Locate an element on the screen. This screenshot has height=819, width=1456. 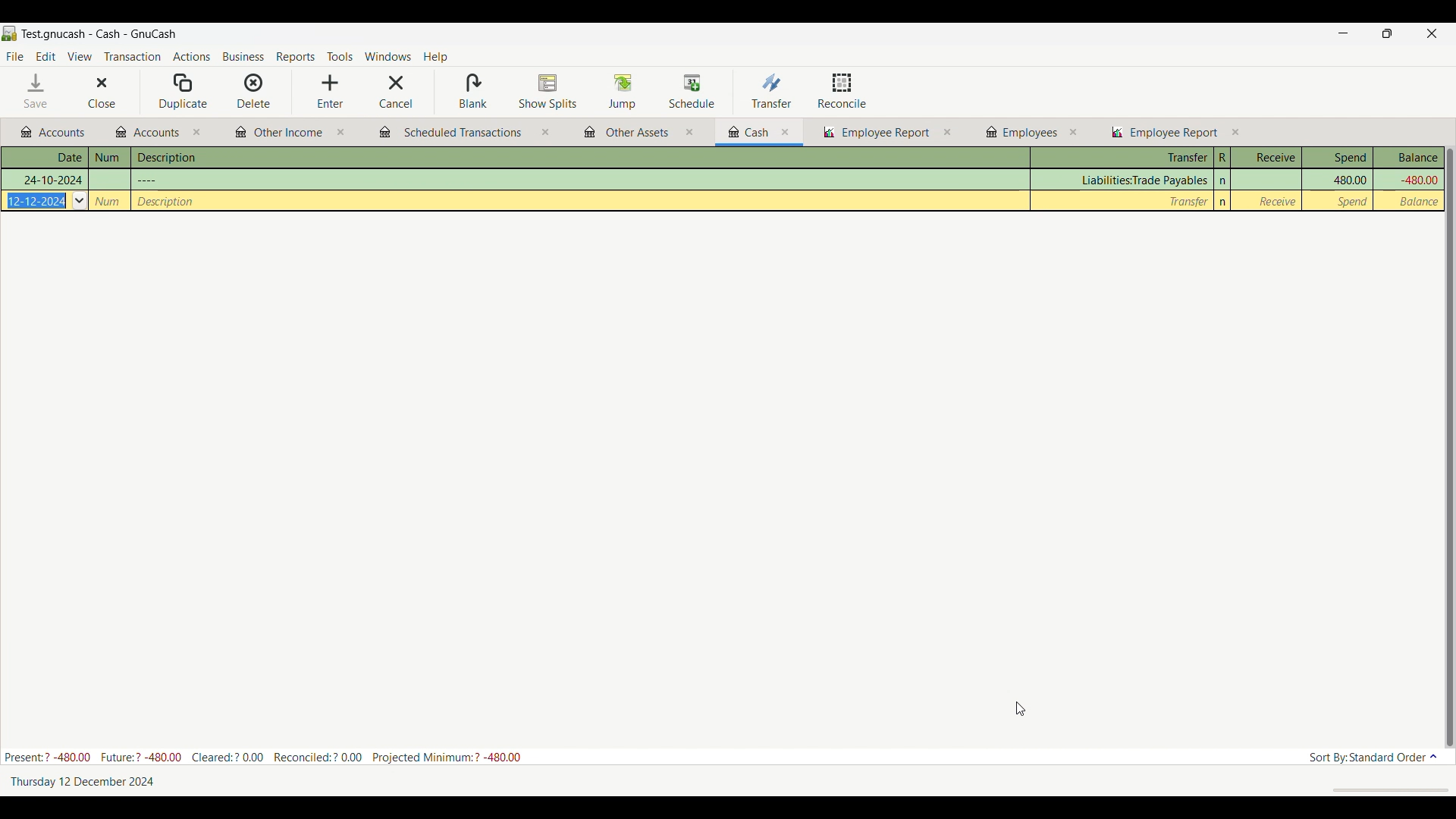
View menu is located at coordinates (80, 56).